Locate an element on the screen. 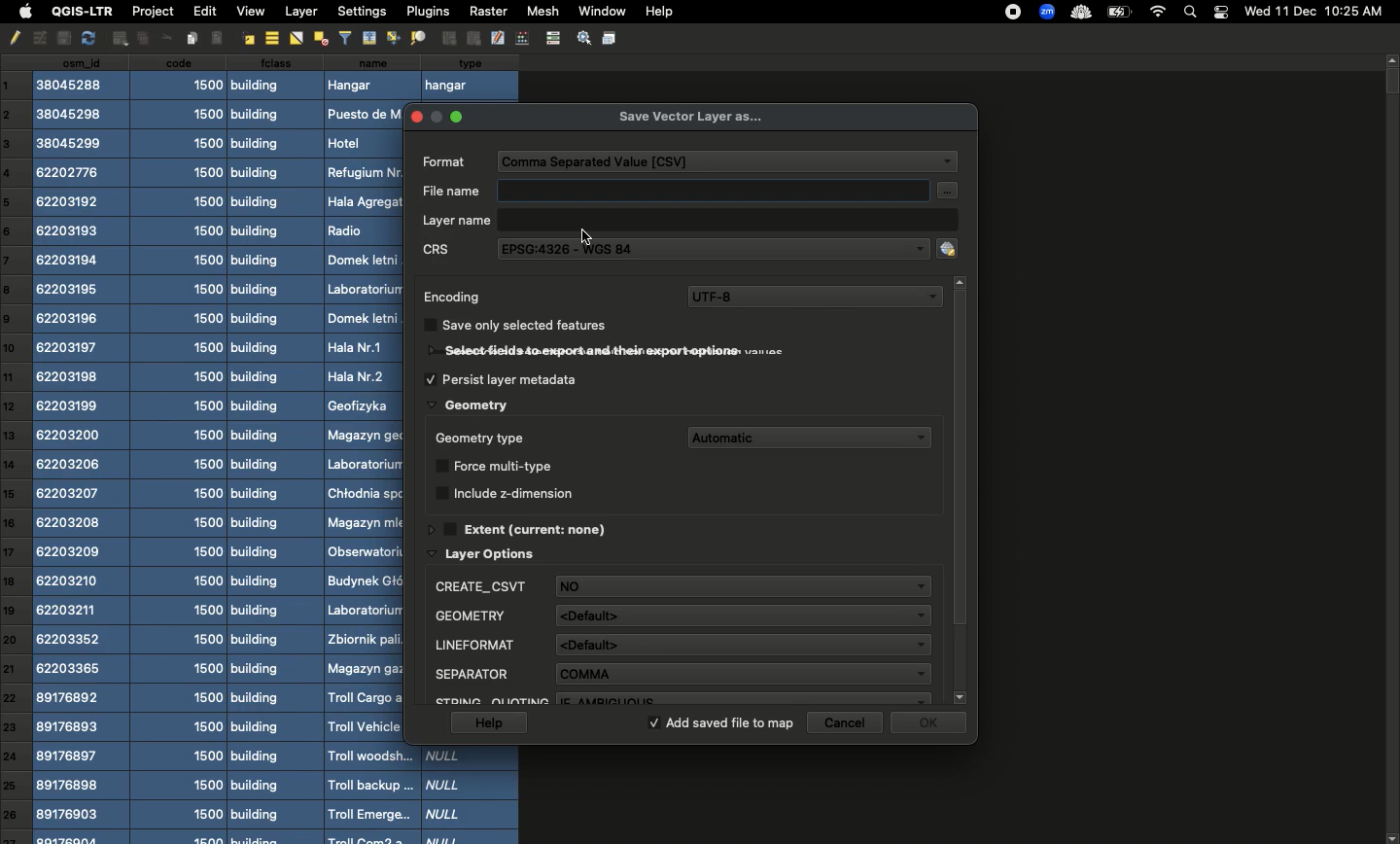 This screenshot has height=844, width=1400. Raster is located at coordinates (487, 11).